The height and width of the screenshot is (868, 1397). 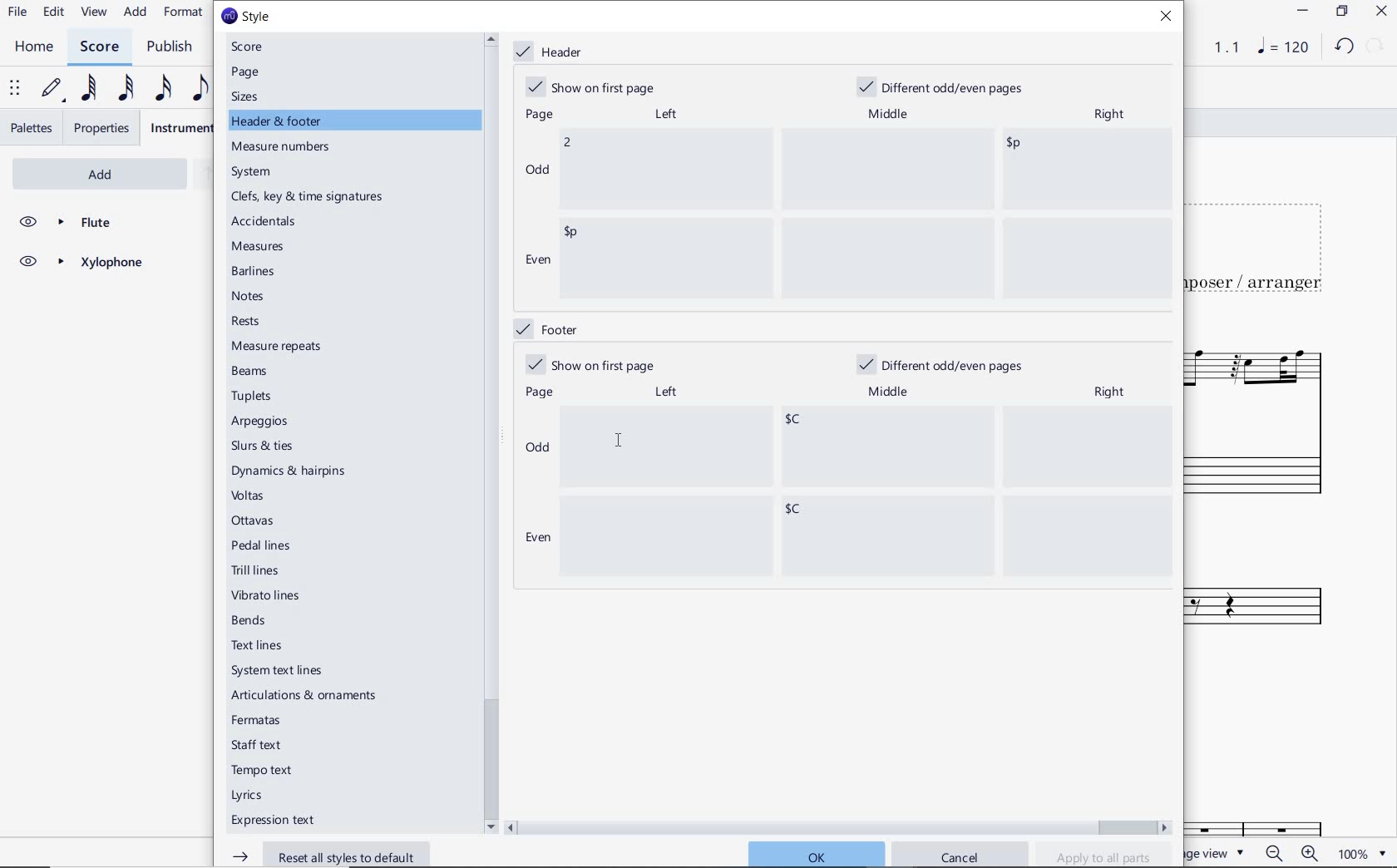 I want to click on system, so click(x=254, y=172).